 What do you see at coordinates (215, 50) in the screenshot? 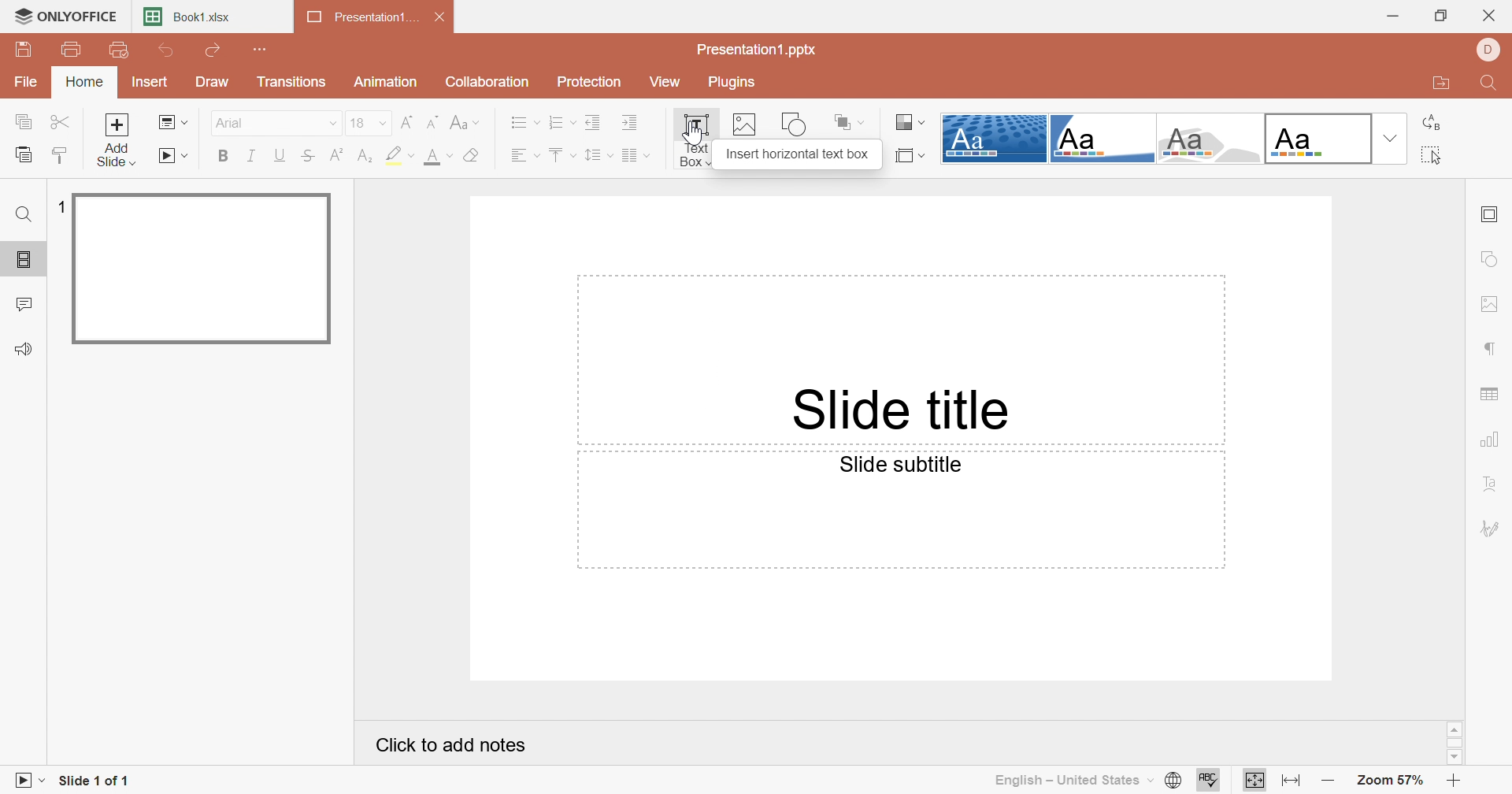
I see `Redo` at bounding box center [215, 50].